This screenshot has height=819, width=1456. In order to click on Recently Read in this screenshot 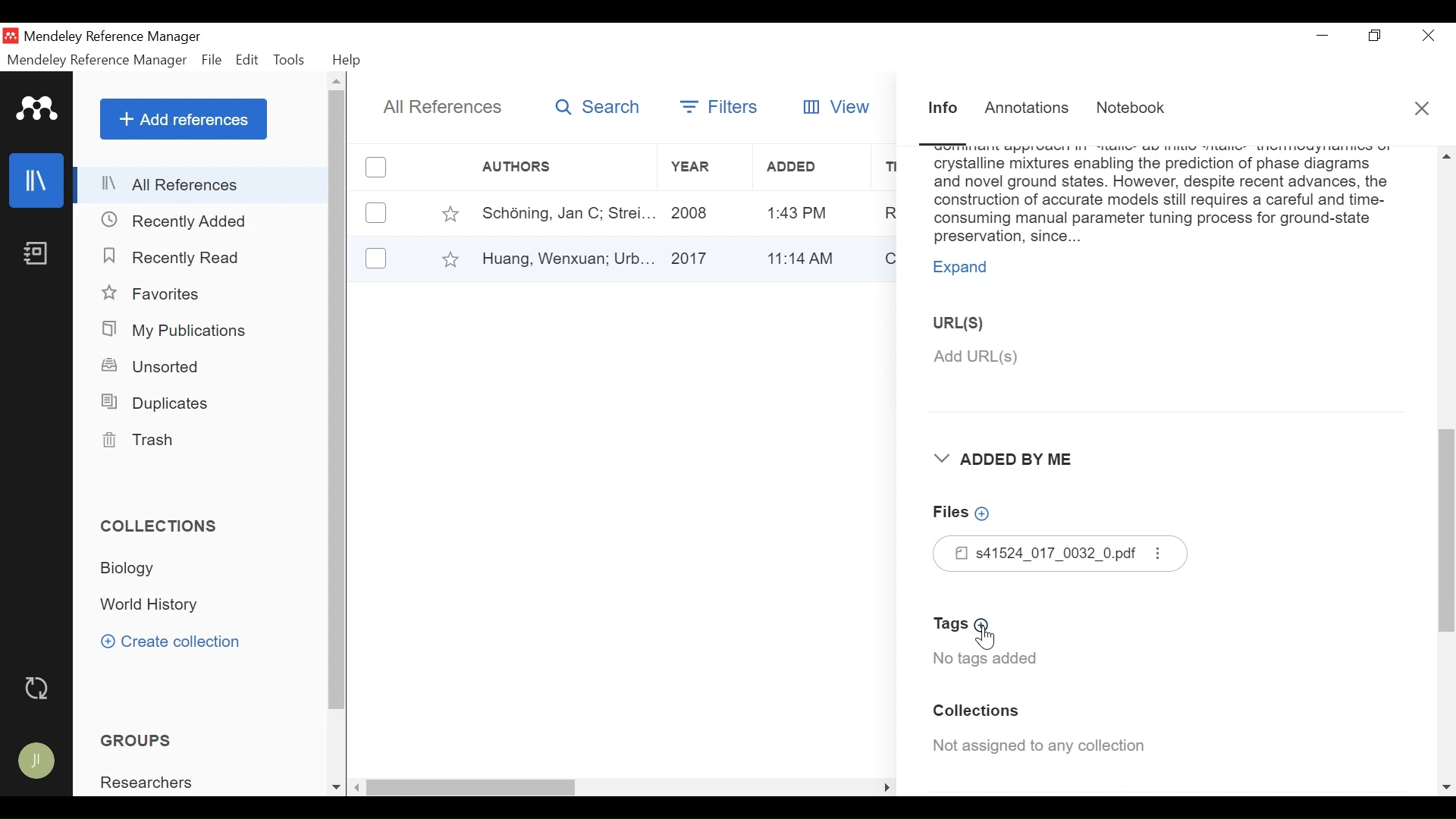, I will do `click(180, 259)`.